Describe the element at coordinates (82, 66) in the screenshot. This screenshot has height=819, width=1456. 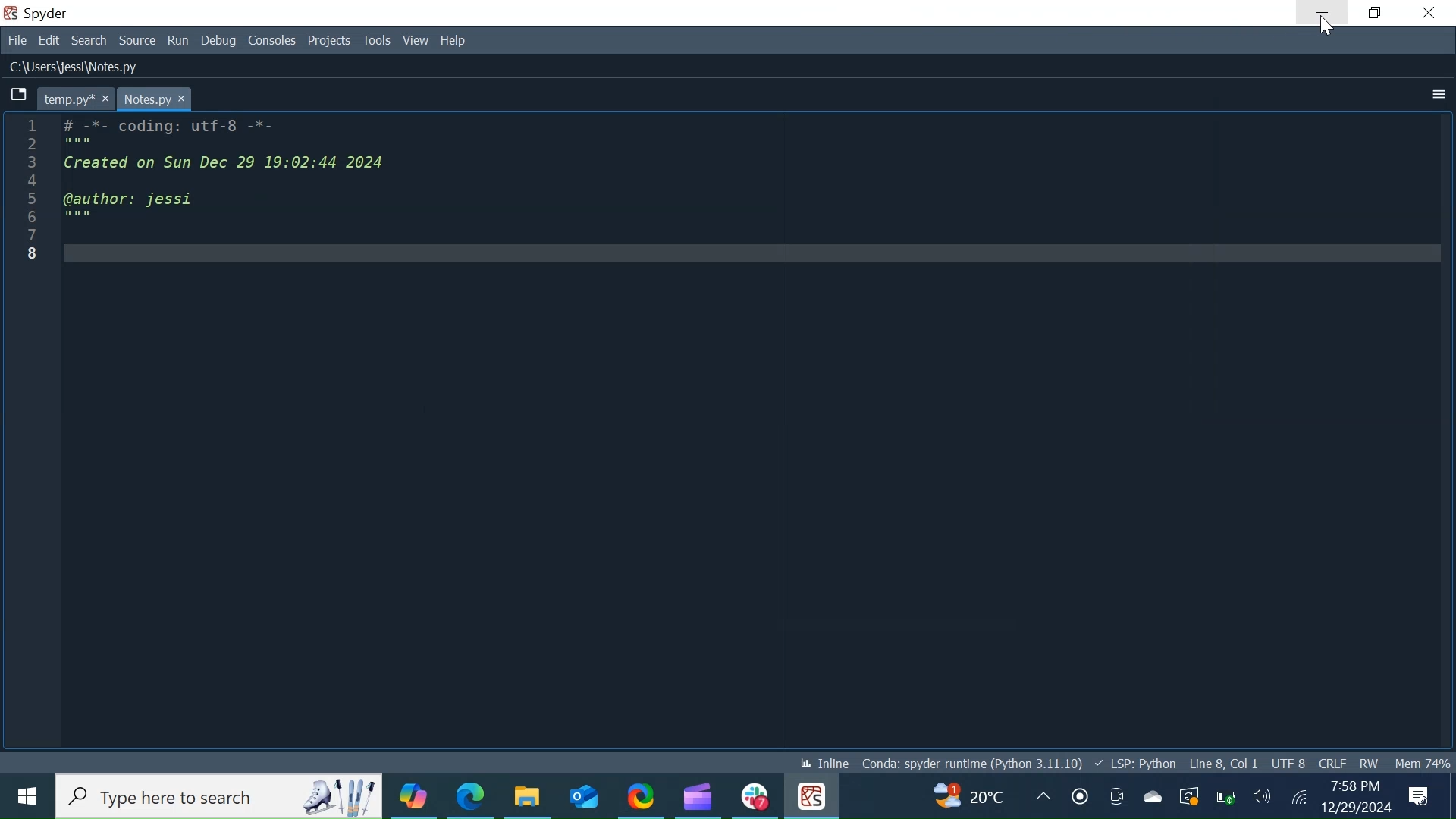
I see `C:\Users\Jessi\Notes.py` at that location.